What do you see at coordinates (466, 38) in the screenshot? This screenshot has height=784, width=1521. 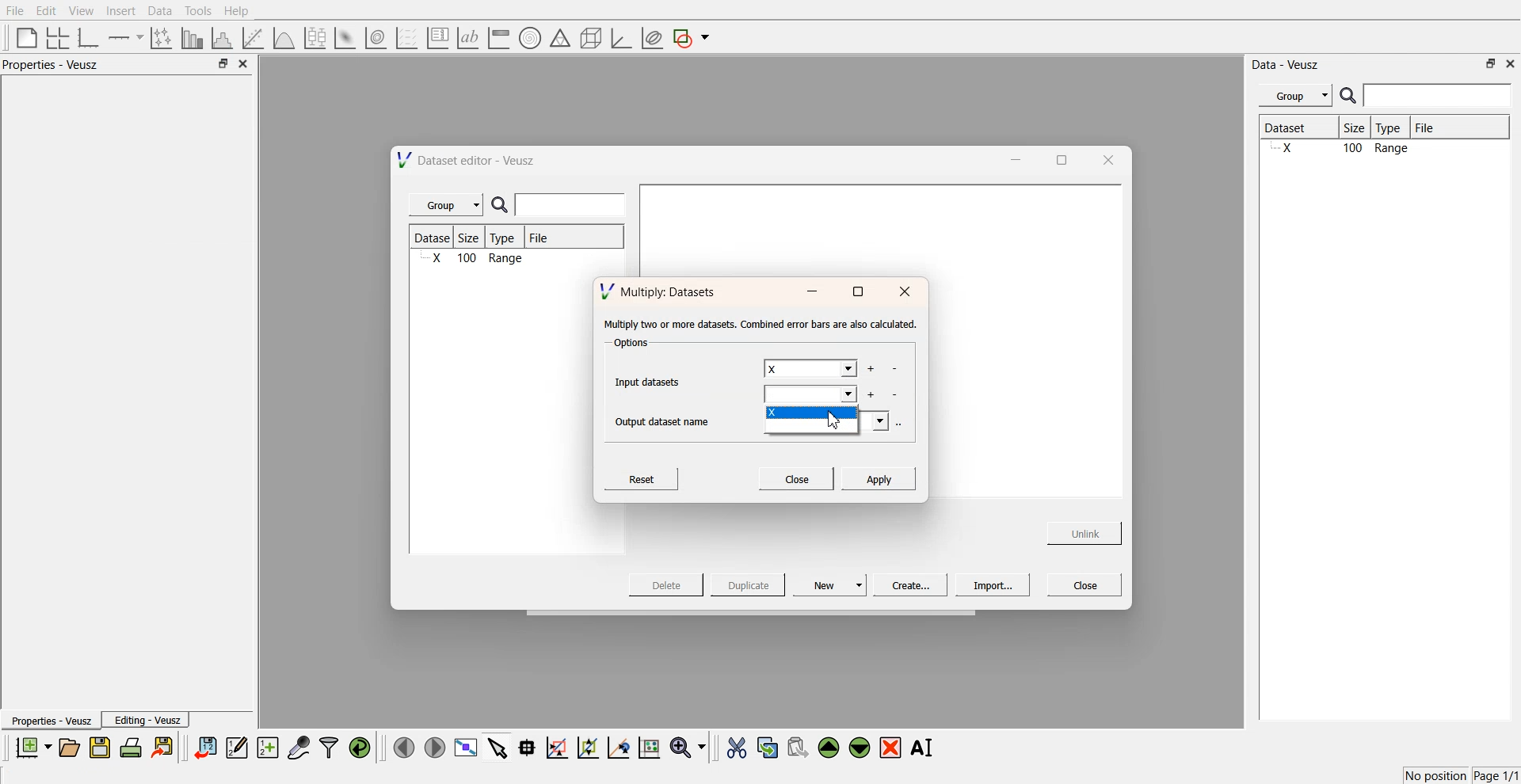 I see `text label` at bounding box center [466, 38].